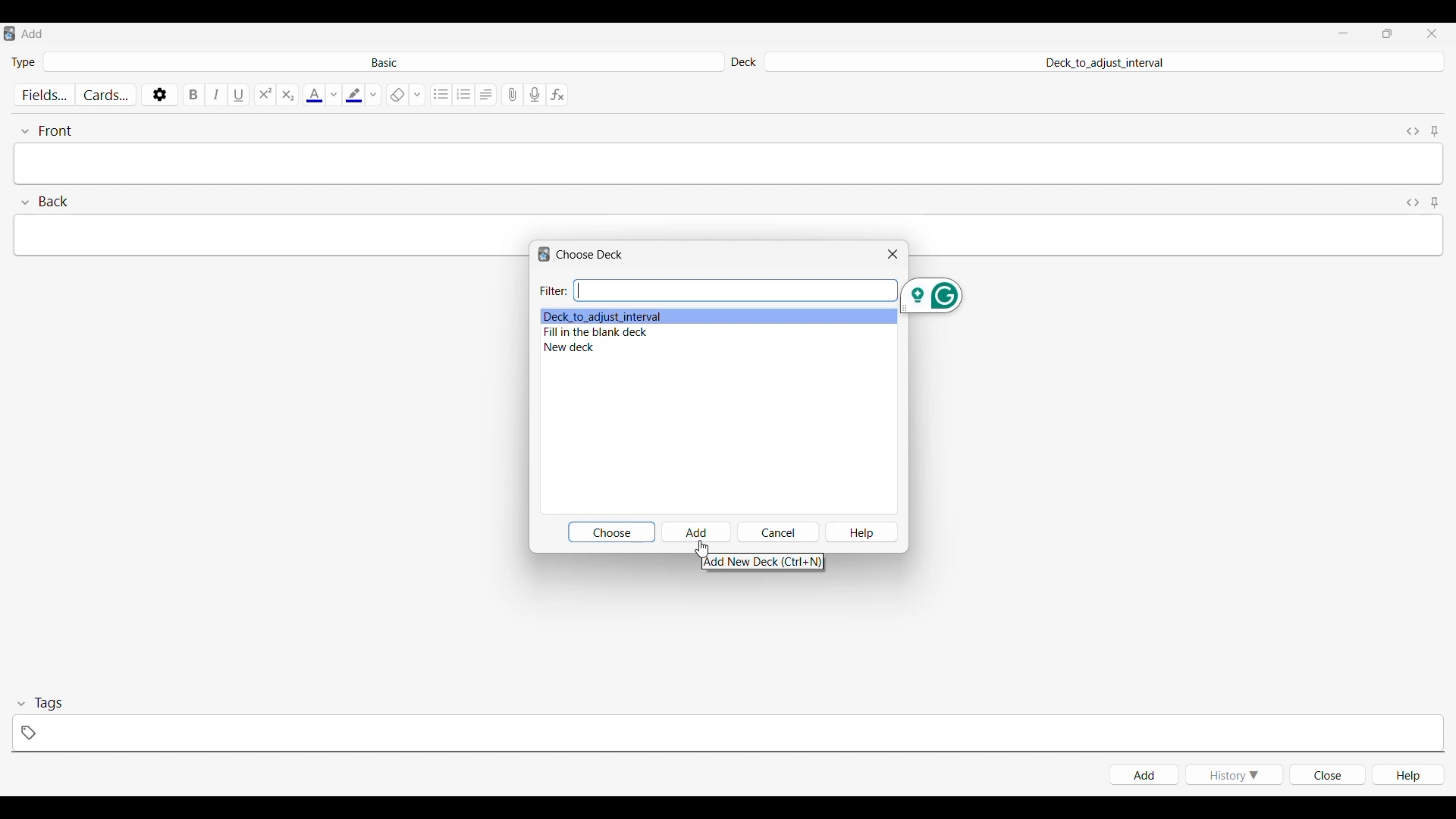 This screenshot has height=819, width=1456. What do you see at coordinates (729, 164) in the screenshot?
I see `Type in text` at bounding box center [729, 164].